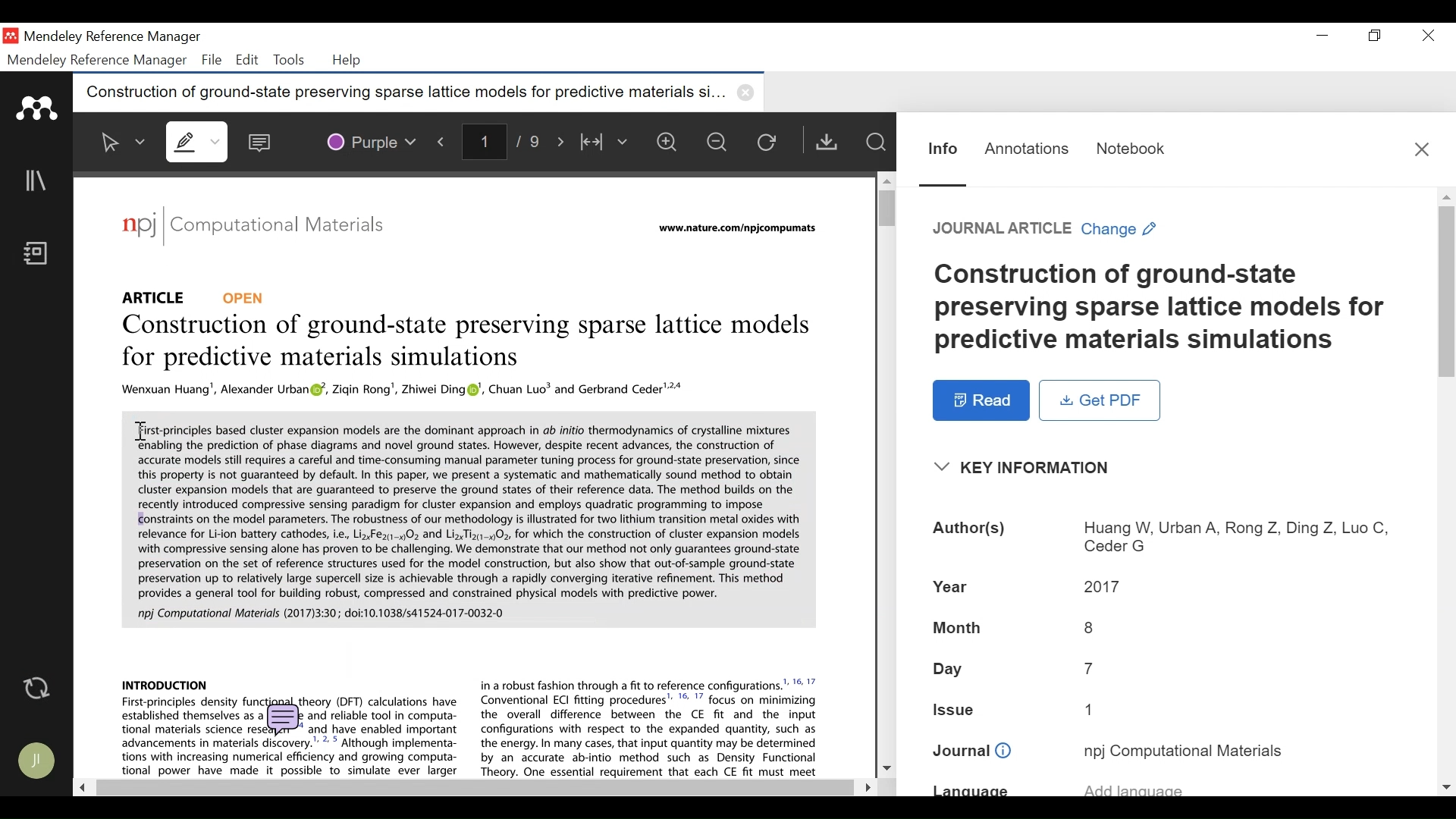  What do you see at coordinates (402, 95) in the screenshot?
I see `Current tab` at bounding box center [402, 95].